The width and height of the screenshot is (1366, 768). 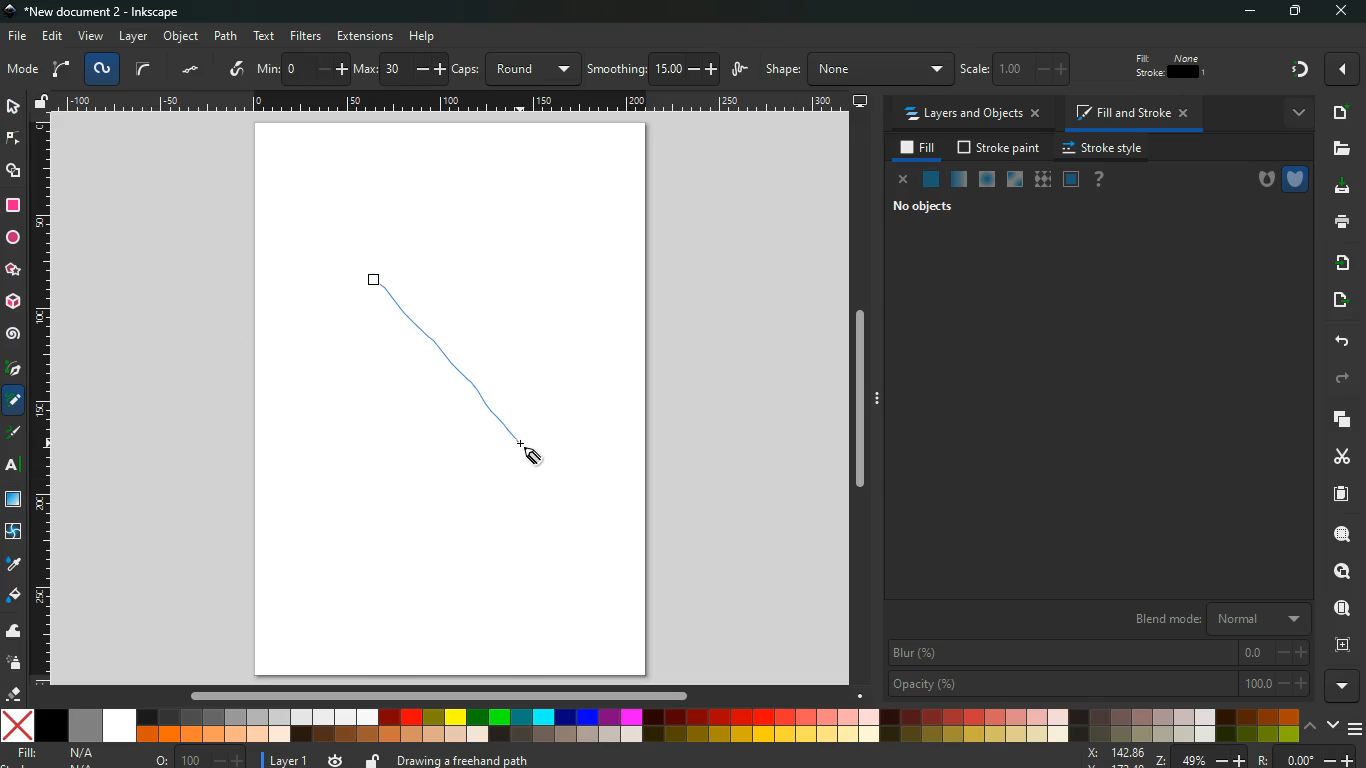 I want to click on twist, so click(x=14, y=533).